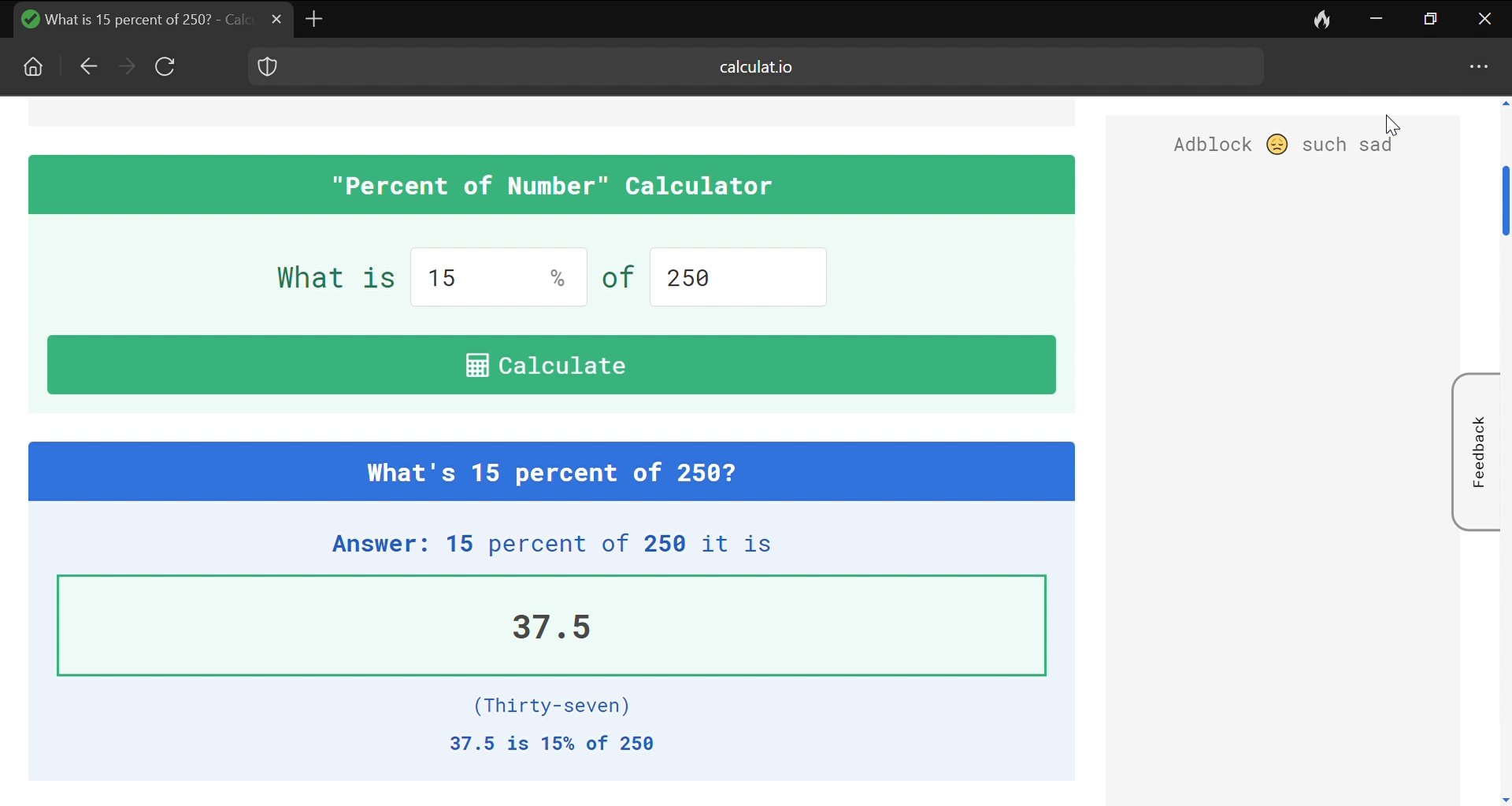 Image resolution: width=1512 pixels, height=806 pixels. I want to click on of, so click(619, 279).